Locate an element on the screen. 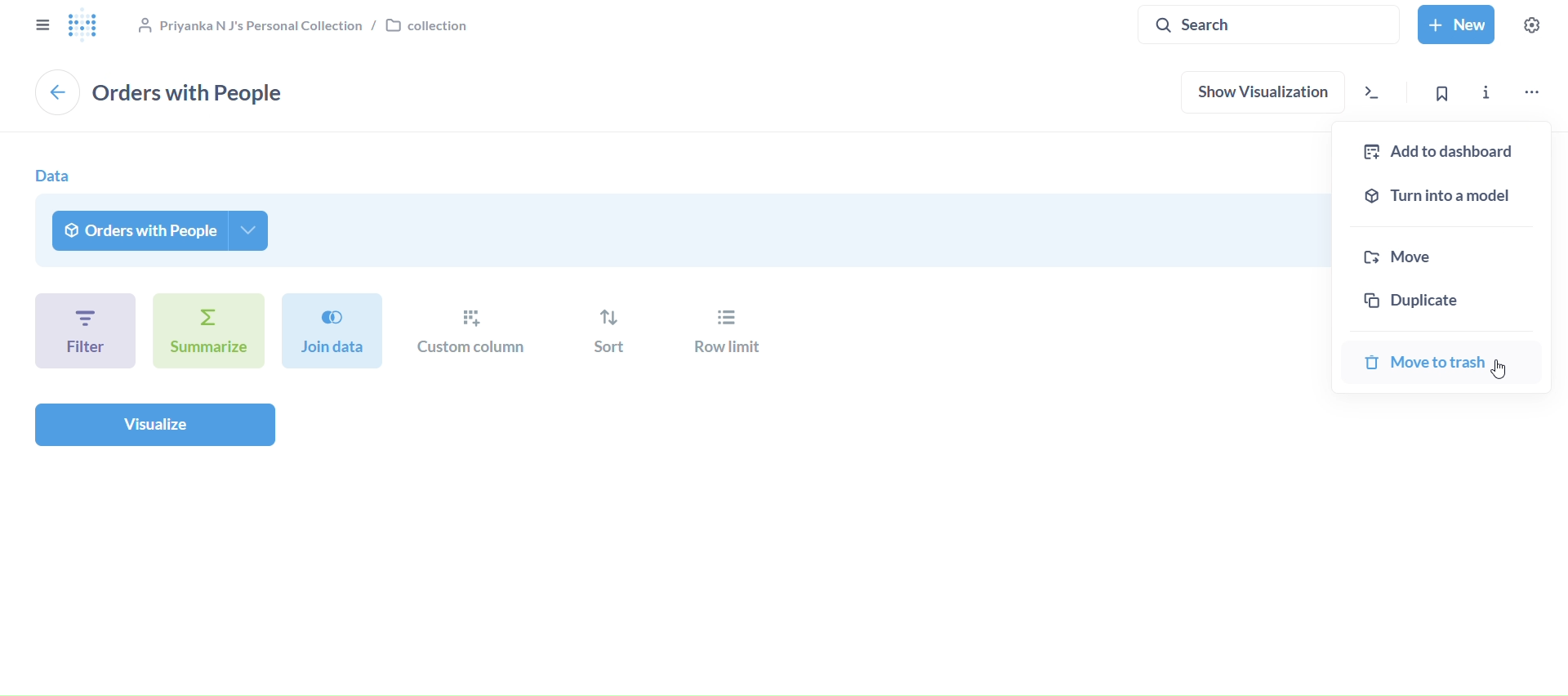 Image resolution: width=1568 pixels, height=696 pixels. duplicate is located at coordinates (1439, 308).